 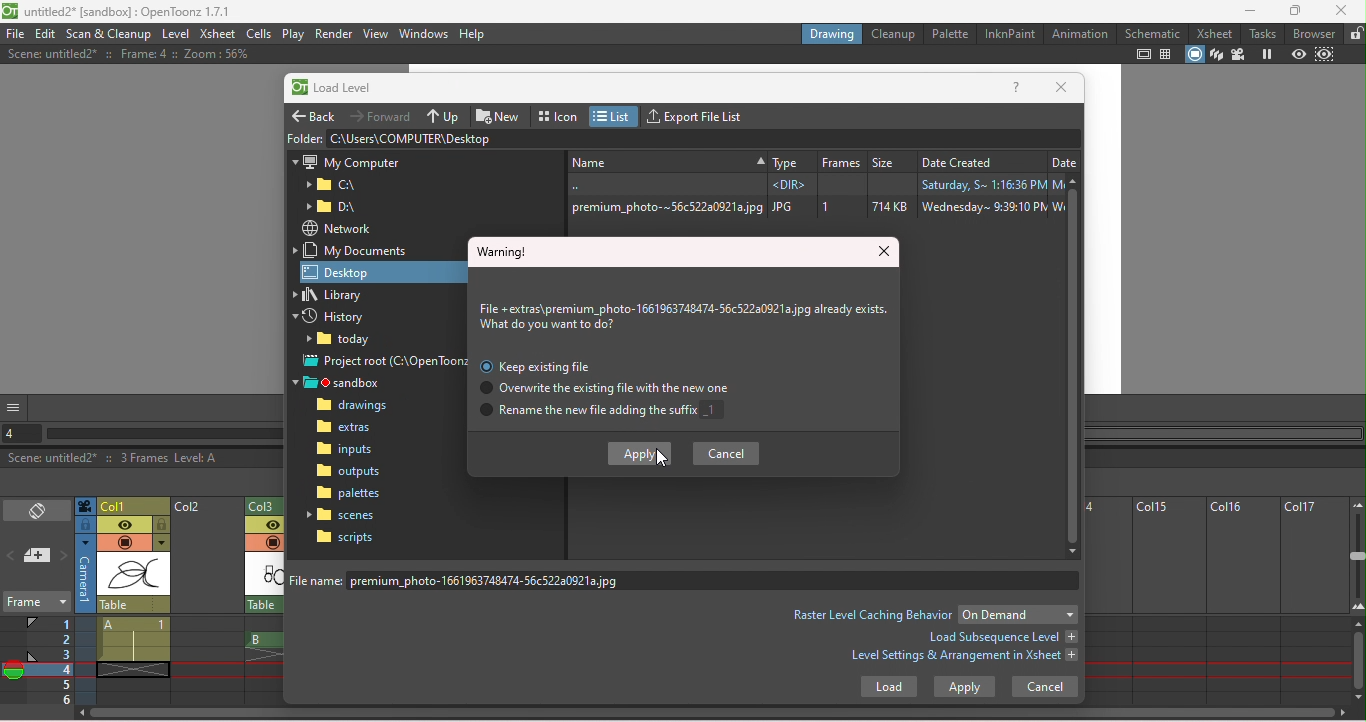 I want to click on 3D view, so click(x=1217, y=55).